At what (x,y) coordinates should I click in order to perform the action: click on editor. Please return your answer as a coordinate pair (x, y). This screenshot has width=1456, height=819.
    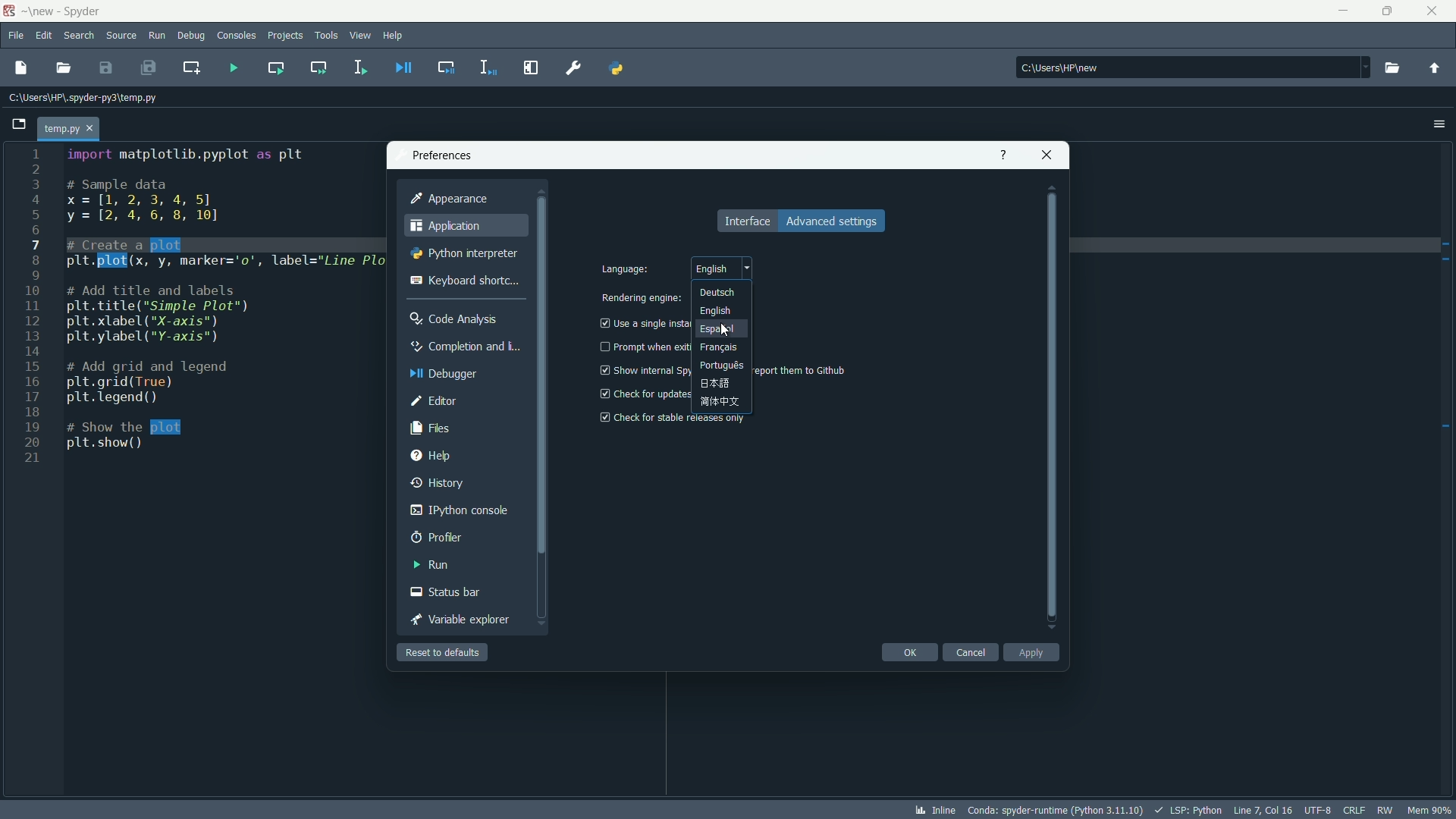
    Looking at the image, I should click on (435, 402).